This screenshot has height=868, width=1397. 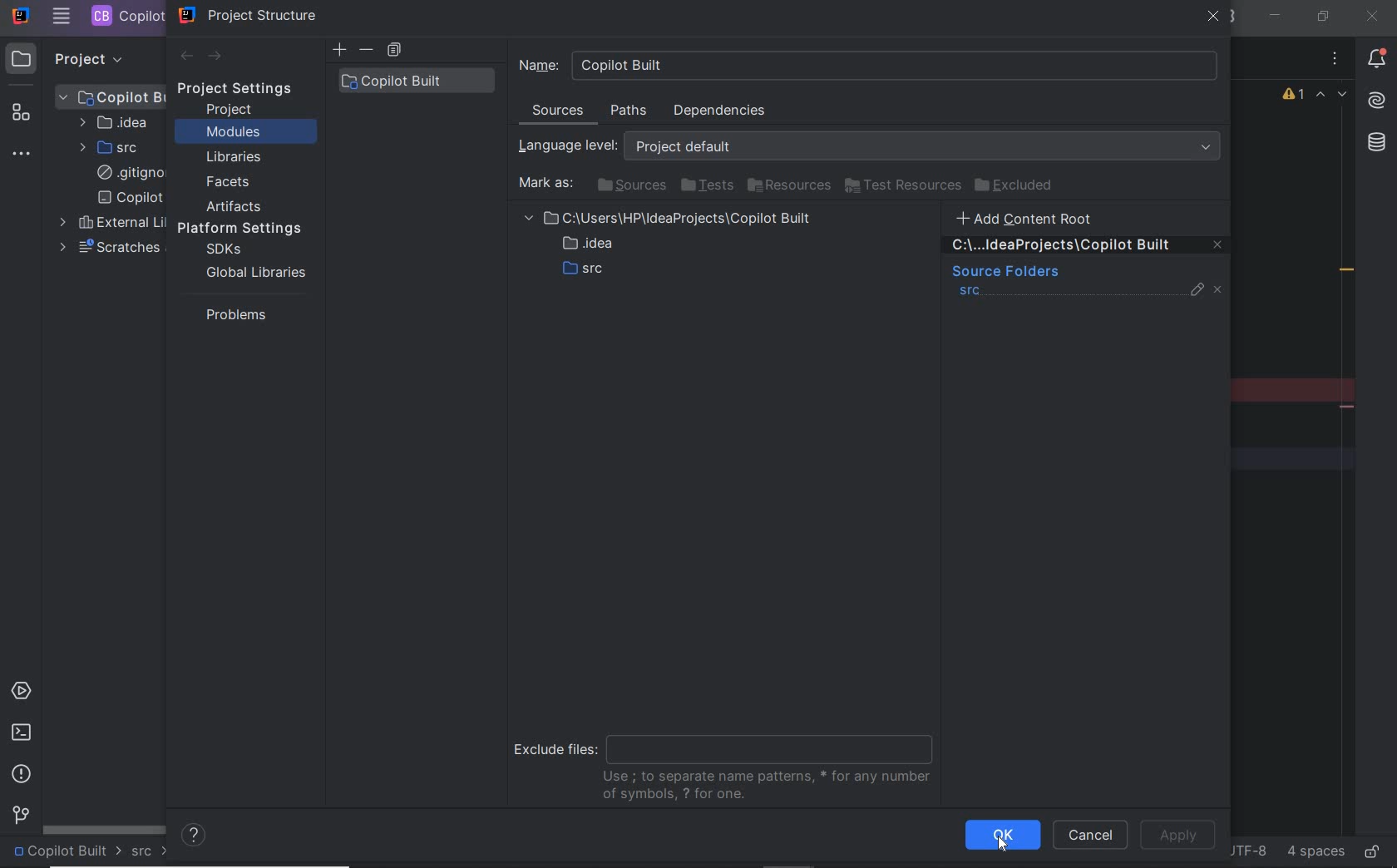 I want to click on back, so click(x=185, y=57).